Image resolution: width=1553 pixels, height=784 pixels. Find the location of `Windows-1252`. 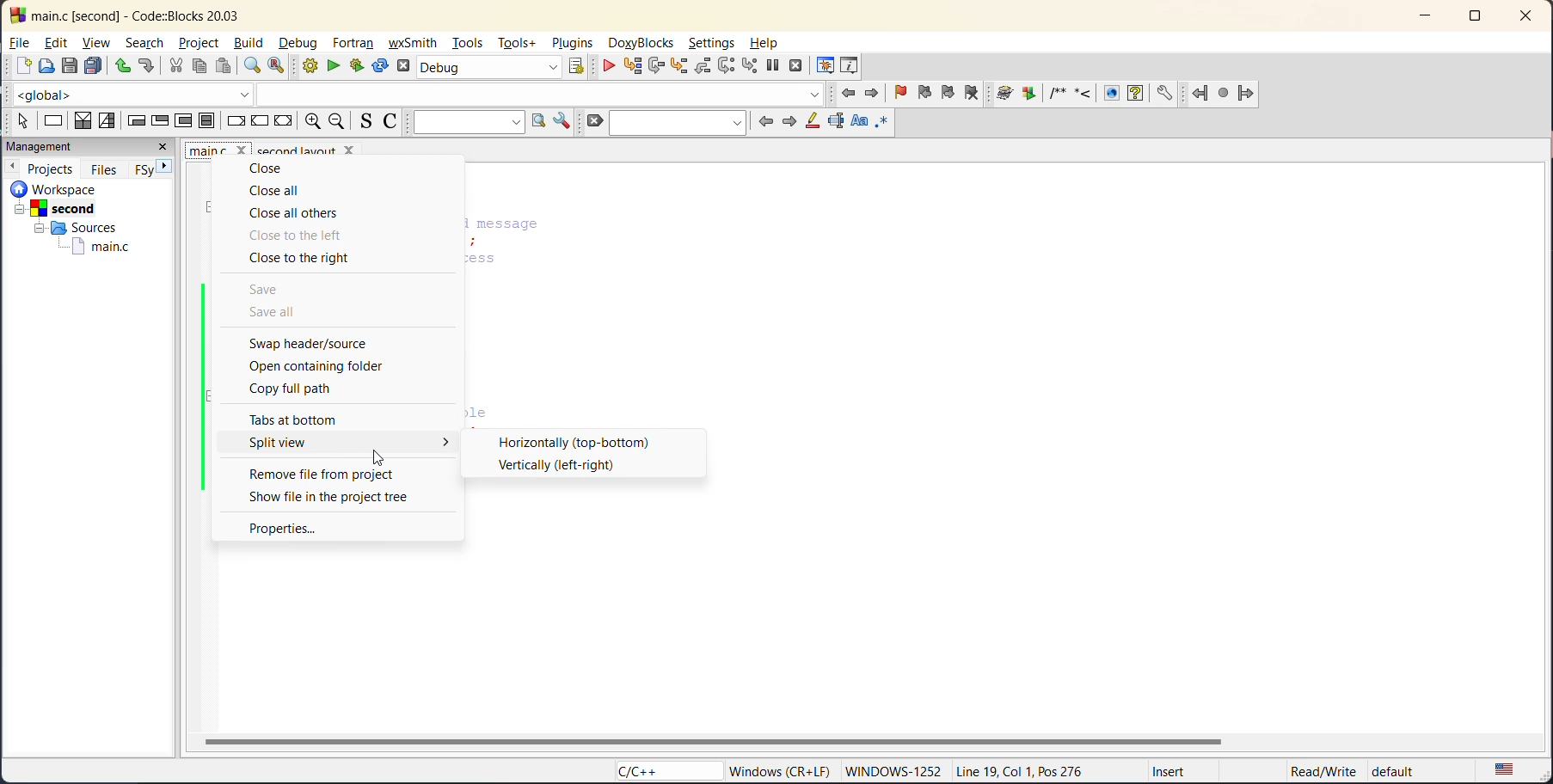

Windows-1252 is located at coordinates (894, 769).